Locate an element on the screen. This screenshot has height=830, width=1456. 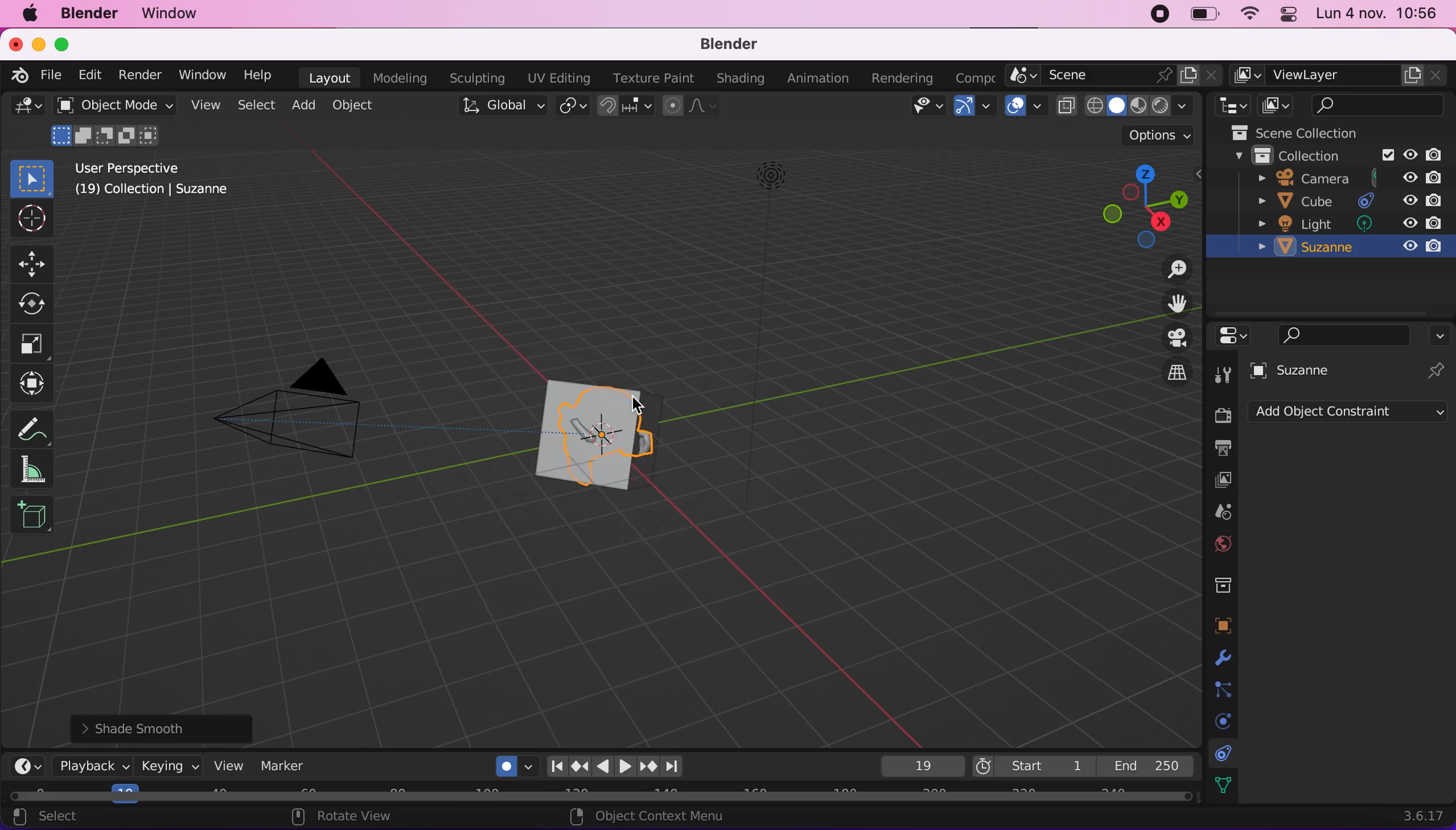
modeling is located at coordinates (401, 78).